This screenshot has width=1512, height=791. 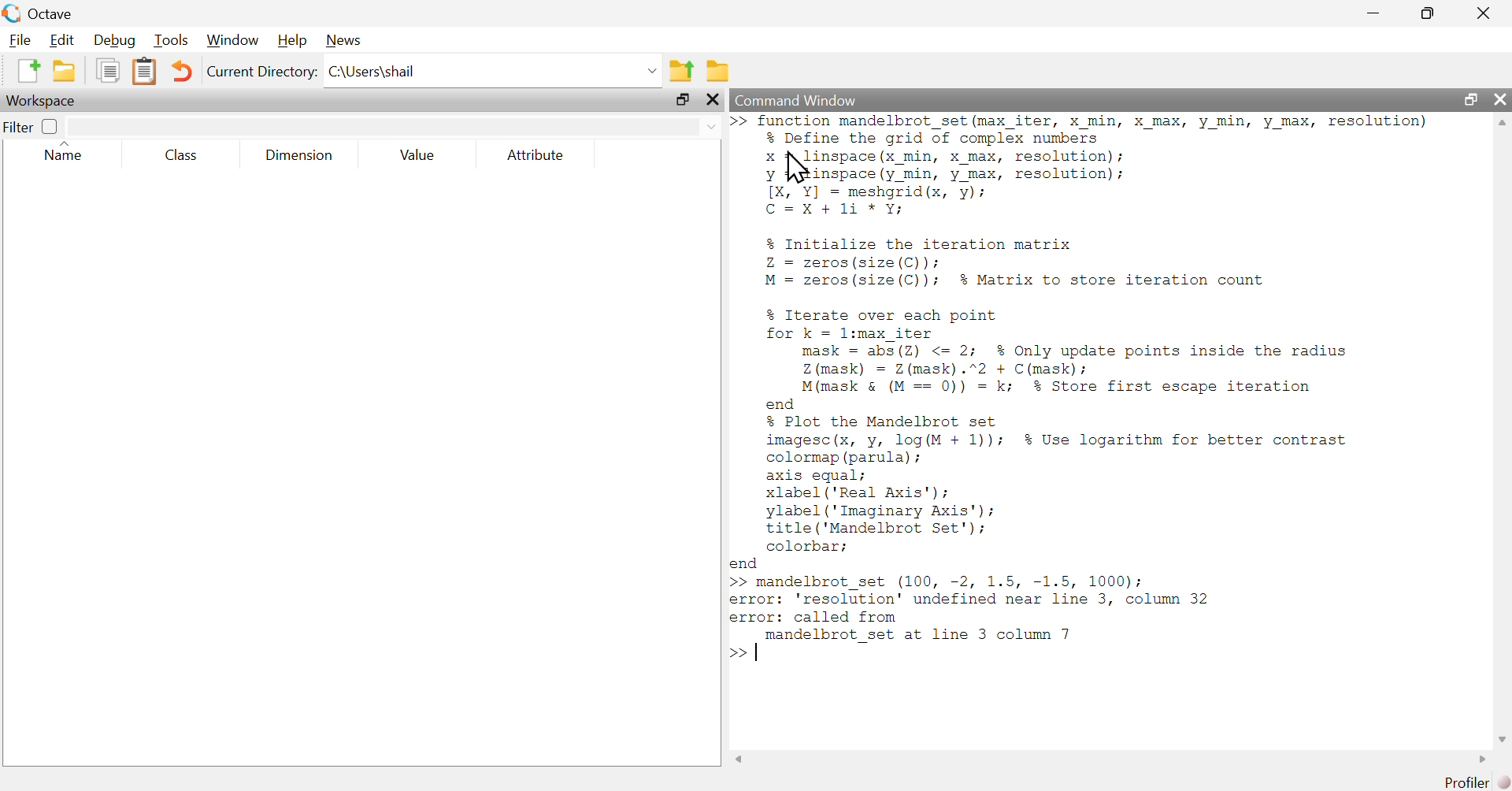 I want to click on close, so click(x=713, y=101).